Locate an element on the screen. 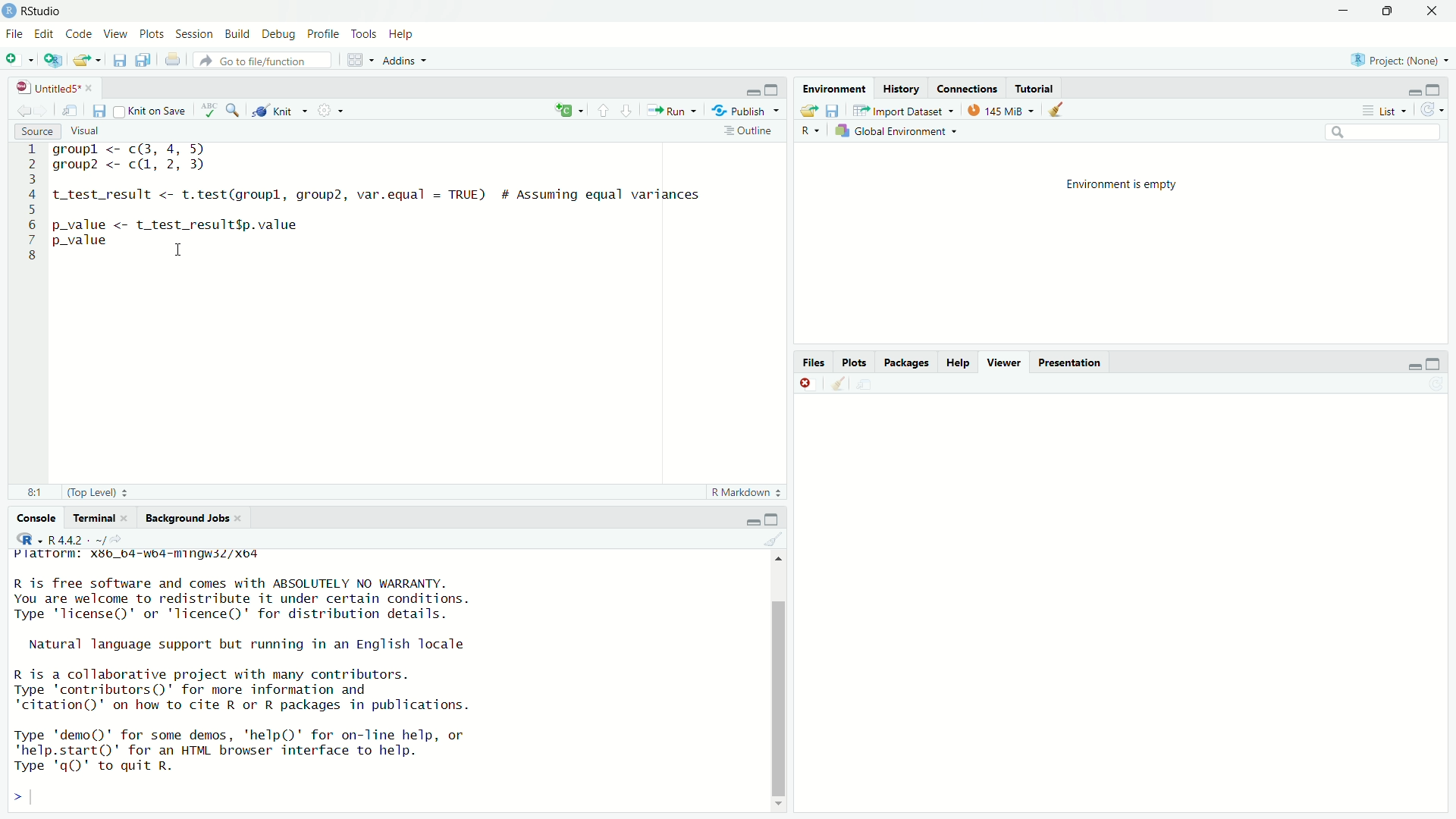  MINIMISE is located at coordinates (1341, 13).